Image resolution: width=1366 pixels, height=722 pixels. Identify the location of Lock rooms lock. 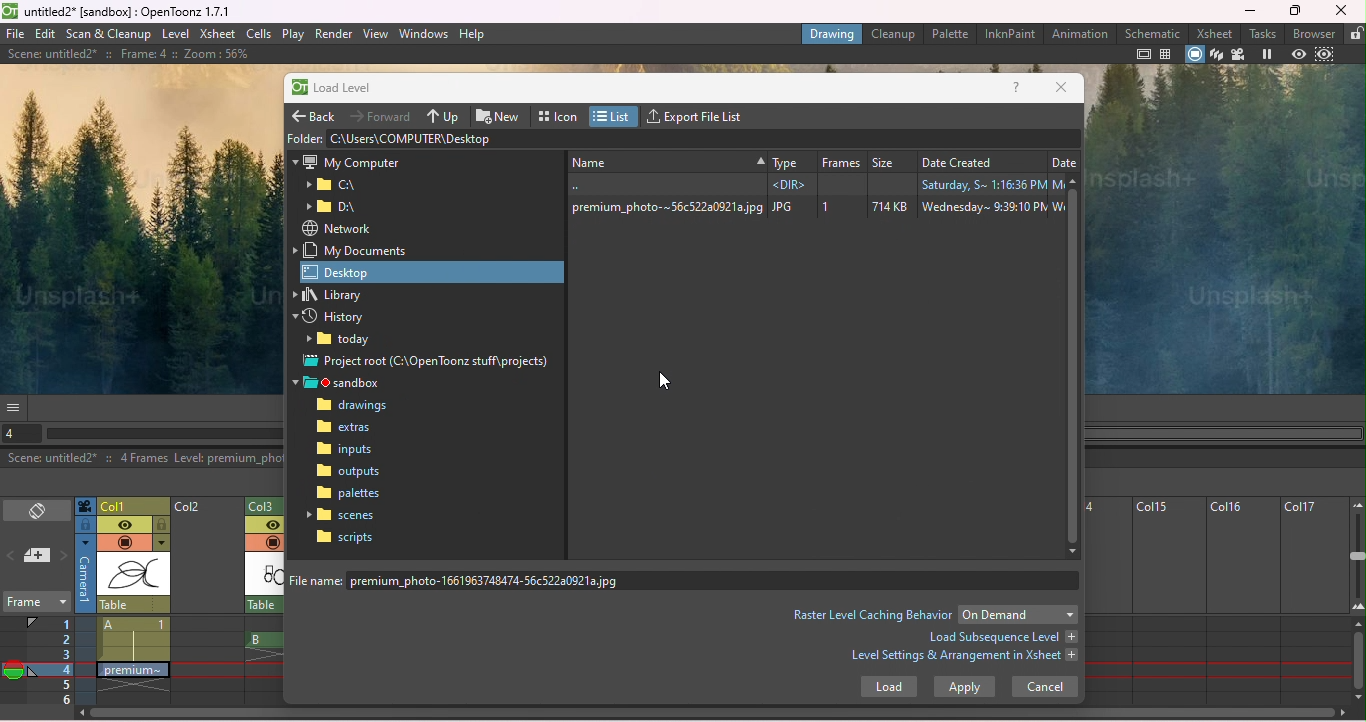
(1355, 33).